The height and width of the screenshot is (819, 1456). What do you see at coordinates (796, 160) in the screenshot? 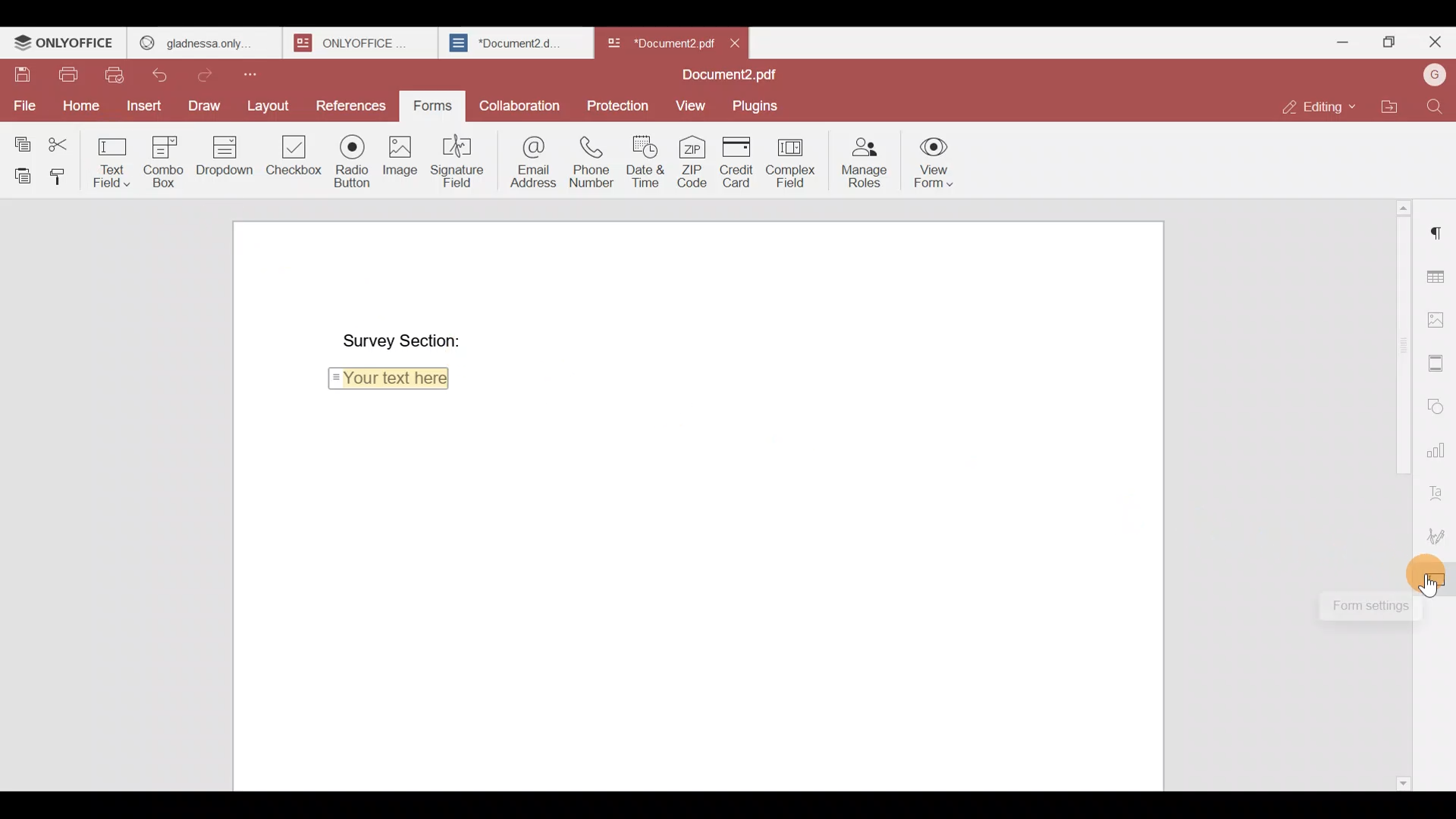
I see `Complex field` at bounding box center [796, 160].